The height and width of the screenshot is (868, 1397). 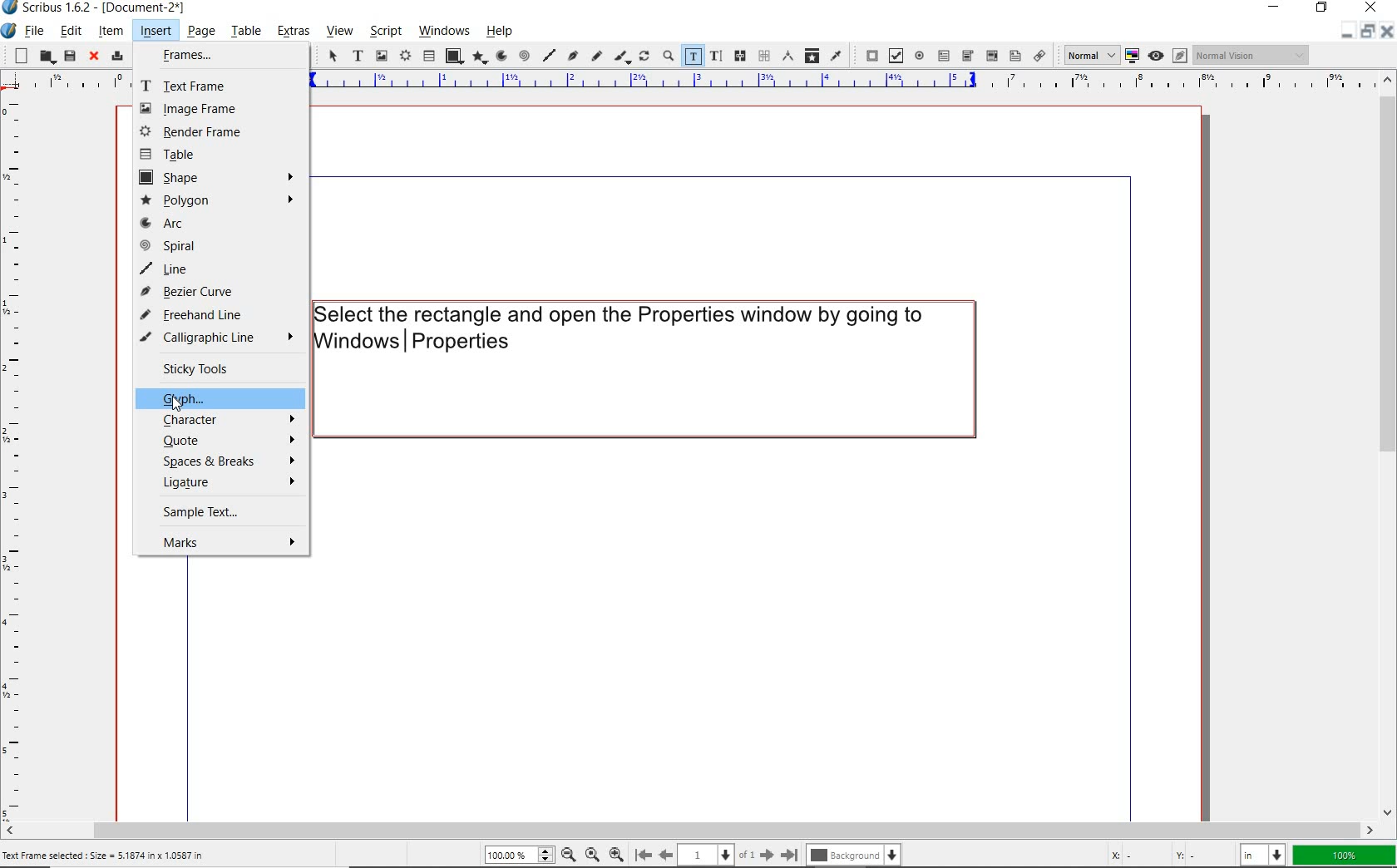 I want to click on polygon, so click(x=480, y=57).